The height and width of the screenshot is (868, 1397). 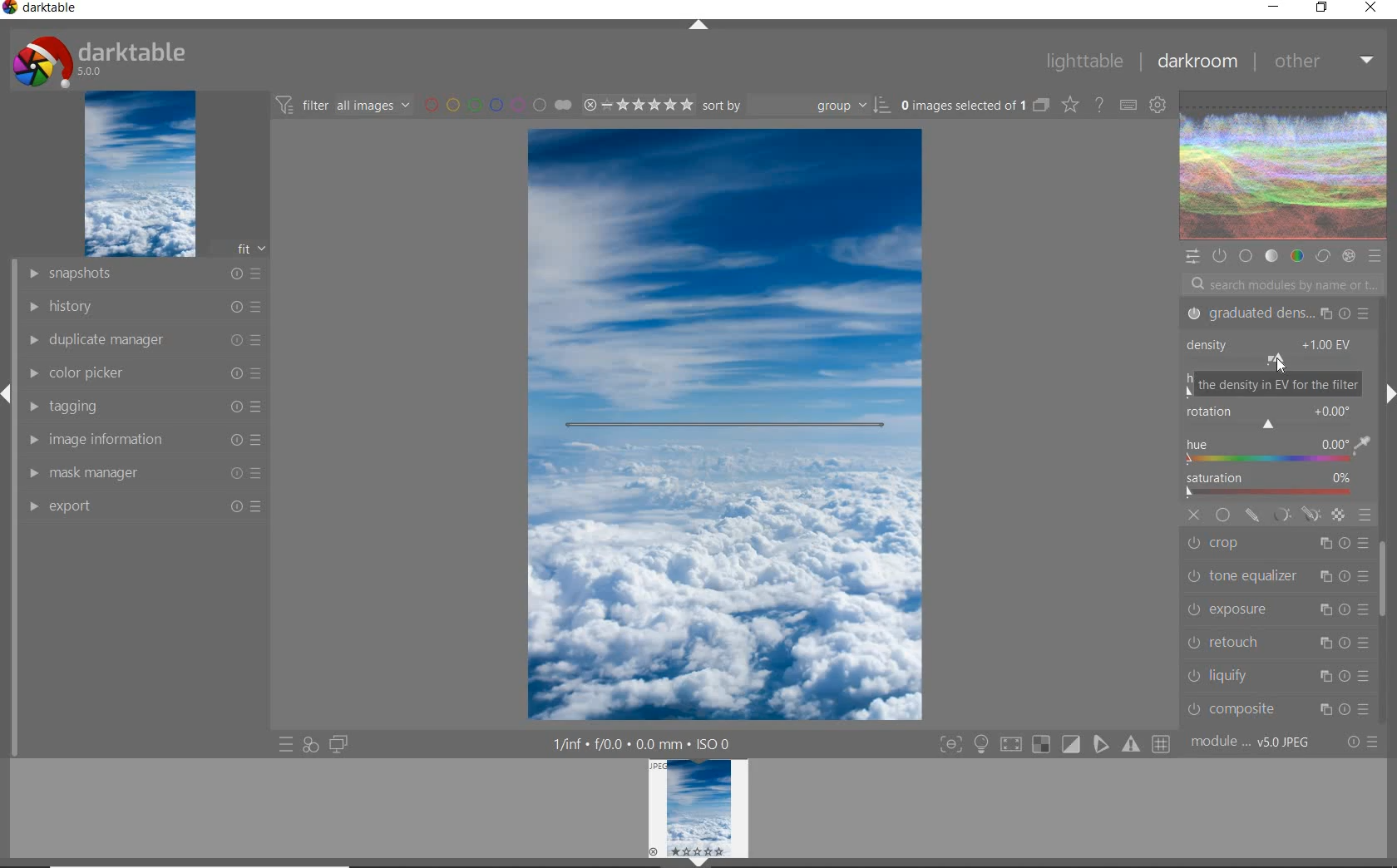 I want to click on COLOR PICKER, so click(x=146, y=374).